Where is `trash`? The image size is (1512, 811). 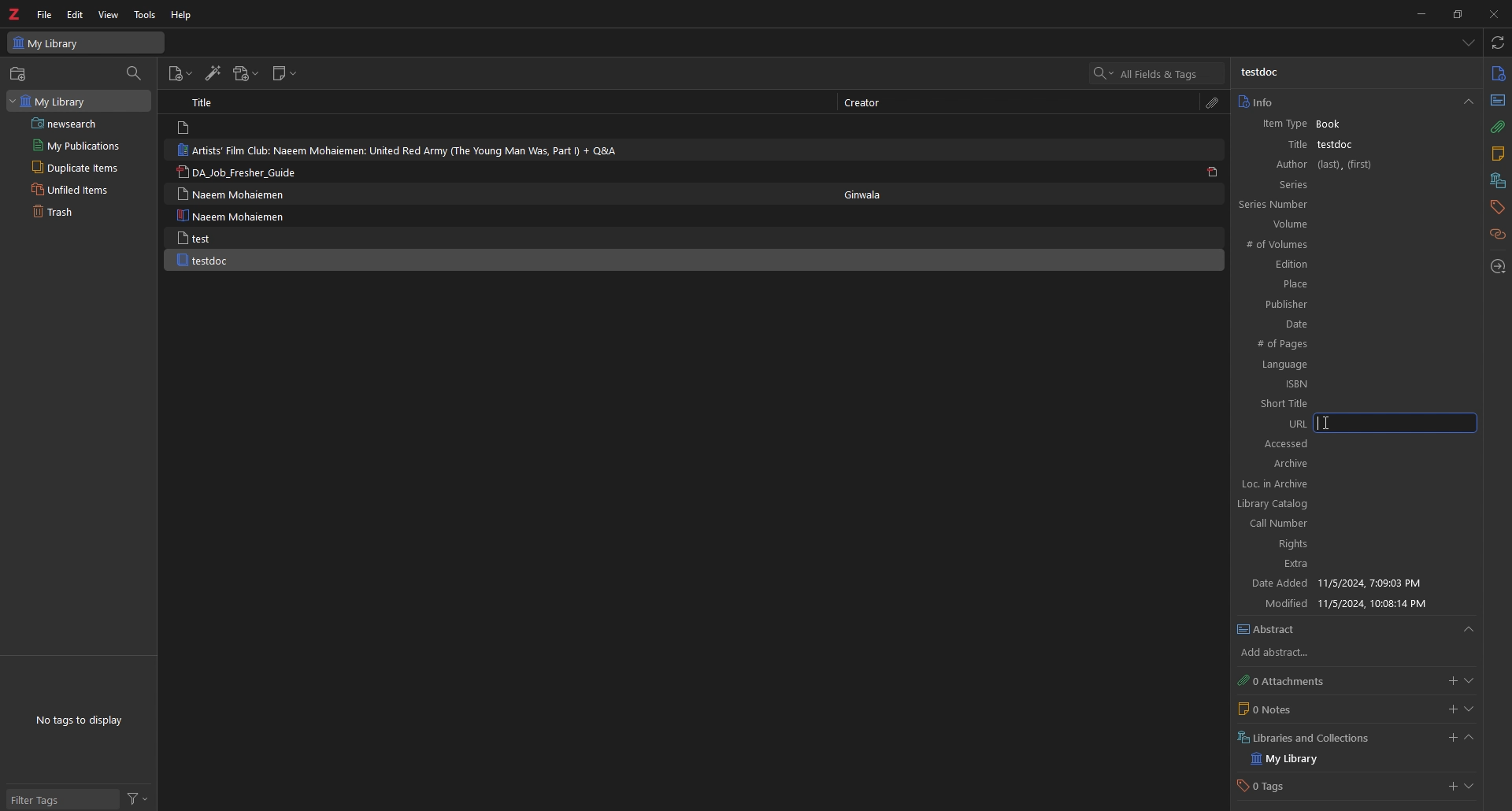 trash is located at coordinates (72, 212).